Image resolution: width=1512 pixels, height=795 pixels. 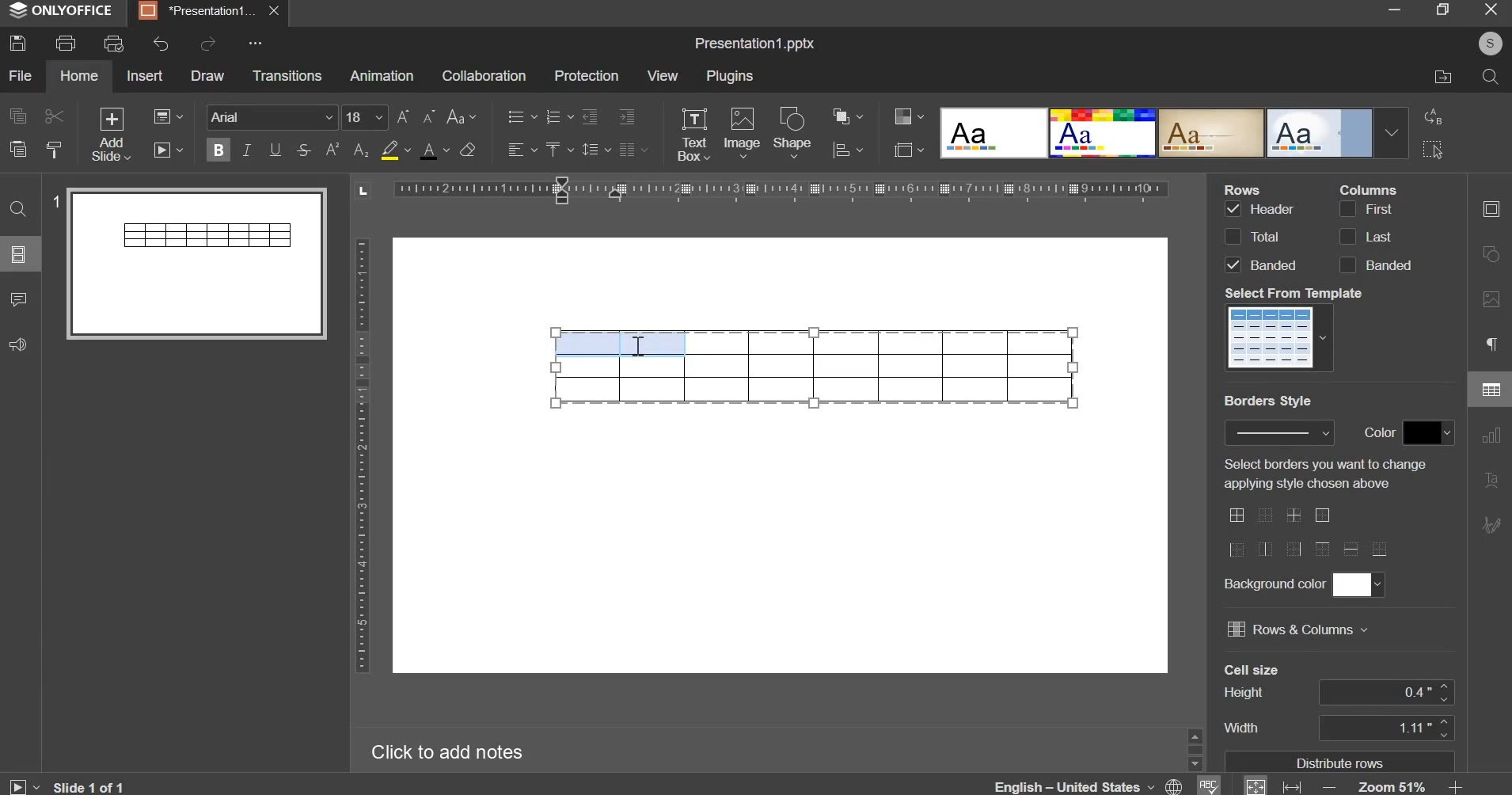 What do you see at coordinates (381, 75) in the screenshot?
I see `animation` at bounding box center [381, 75].